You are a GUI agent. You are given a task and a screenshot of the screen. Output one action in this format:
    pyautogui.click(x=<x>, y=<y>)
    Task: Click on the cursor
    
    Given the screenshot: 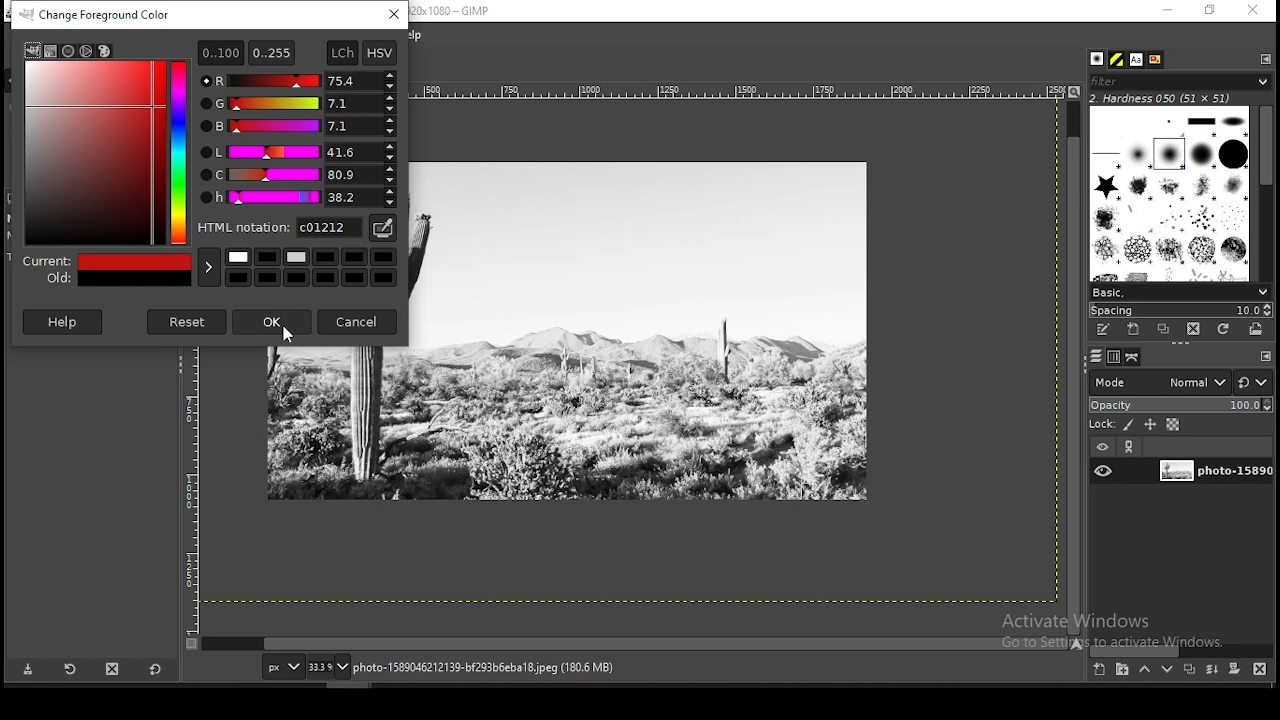 What is the action you would take?
    pyautogui.click(x=289, y=336)
    